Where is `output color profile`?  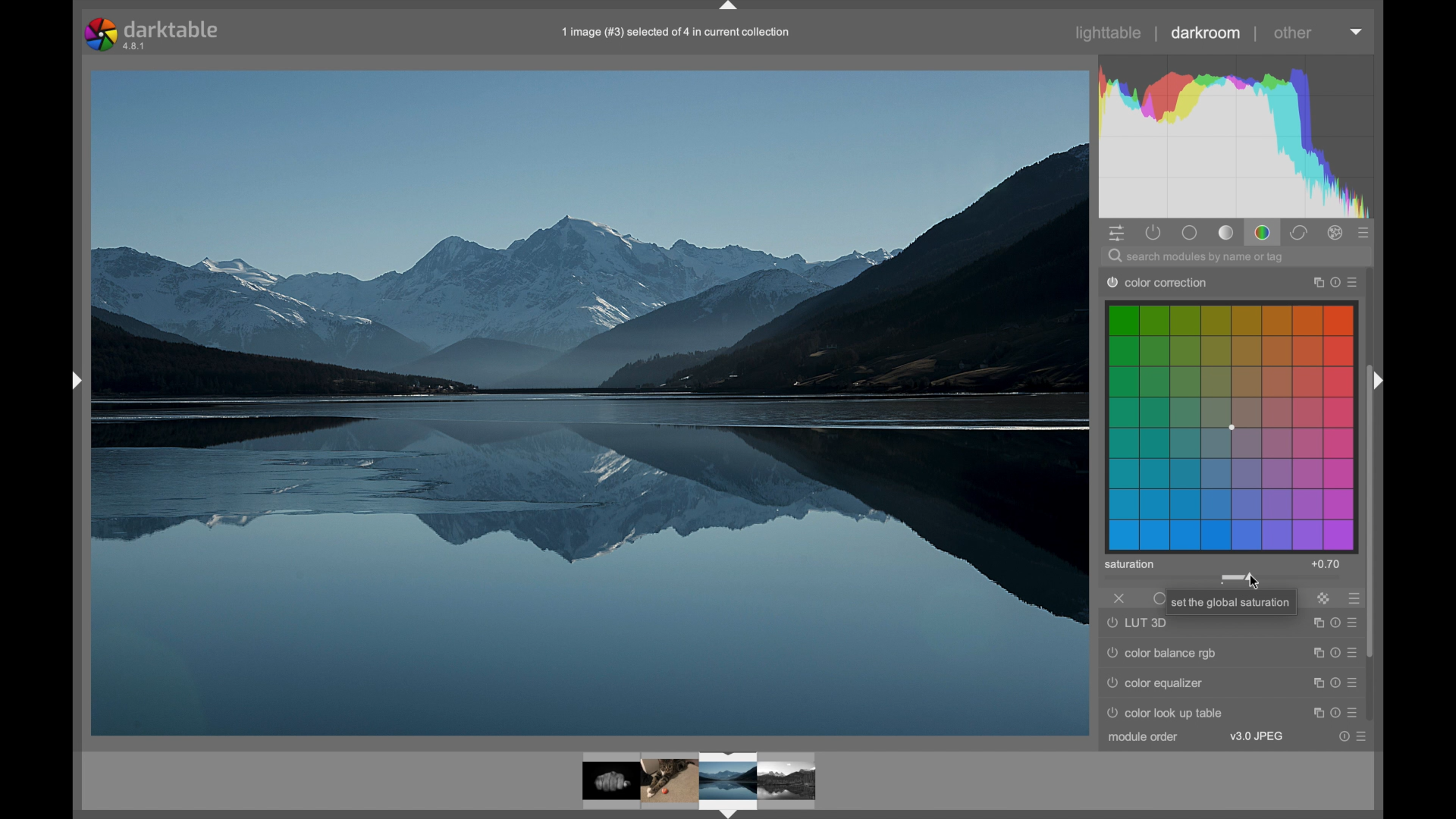 output color profile is located at coordinates (1168, 281).